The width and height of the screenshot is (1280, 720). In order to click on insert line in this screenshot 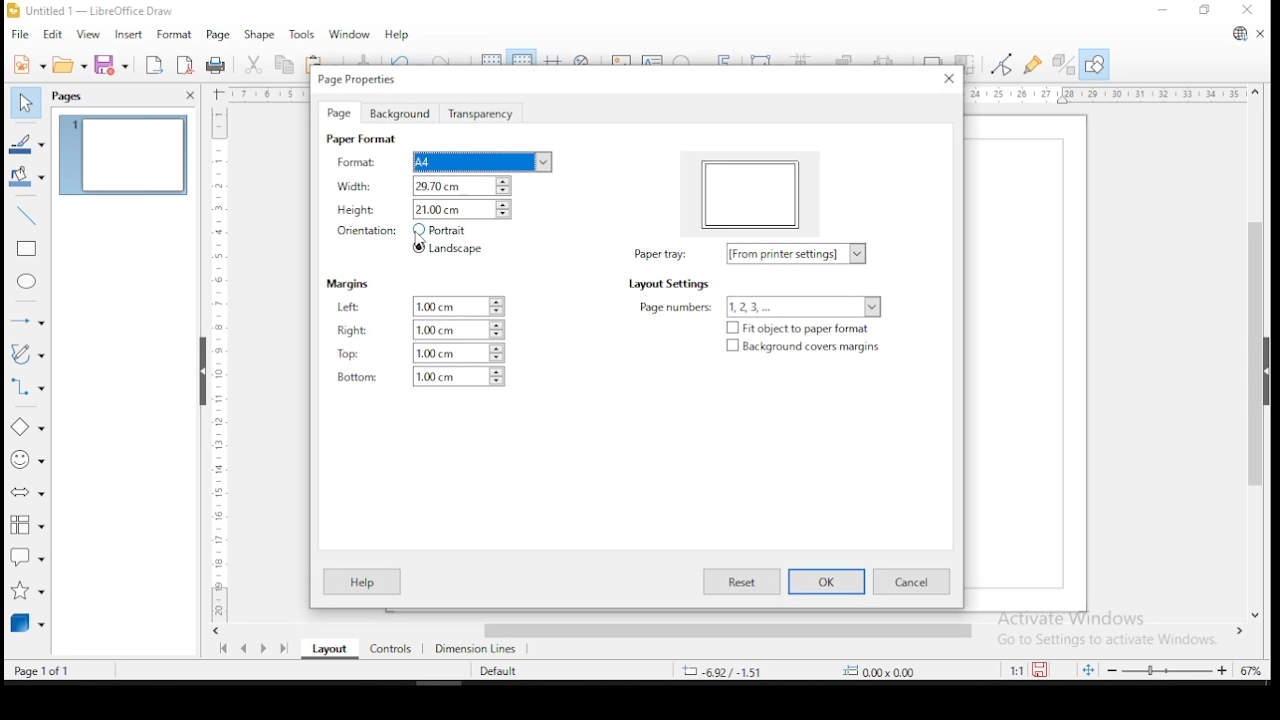, I will do `click(28, 216)`.